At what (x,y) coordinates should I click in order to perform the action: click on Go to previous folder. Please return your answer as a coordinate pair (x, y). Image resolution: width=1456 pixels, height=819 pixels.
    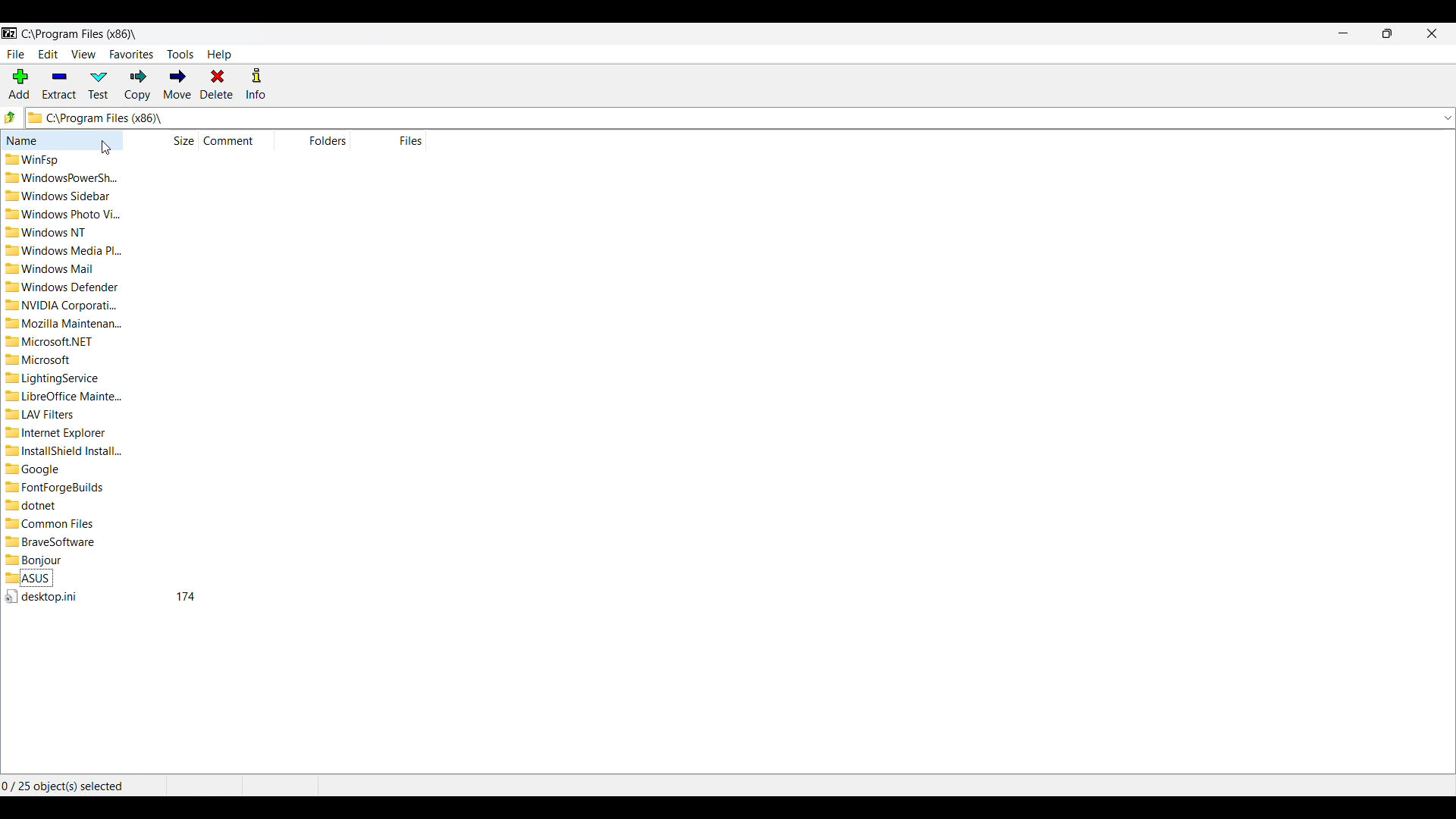
    Looking at the image, I should click on (11, 117).